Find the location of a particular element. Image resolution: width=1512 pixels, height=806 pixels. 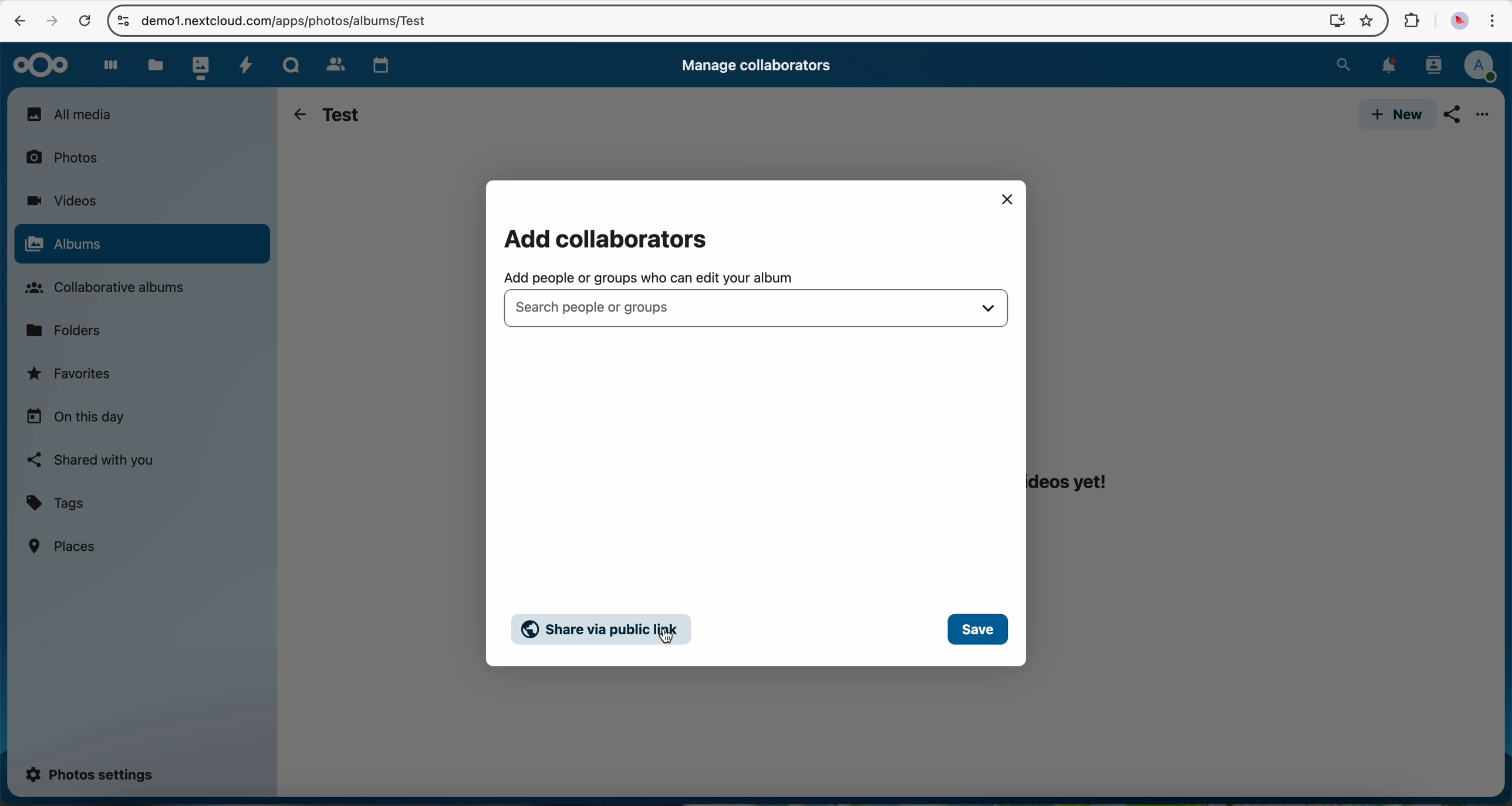

shared with you is located at coordinates (92, 460).